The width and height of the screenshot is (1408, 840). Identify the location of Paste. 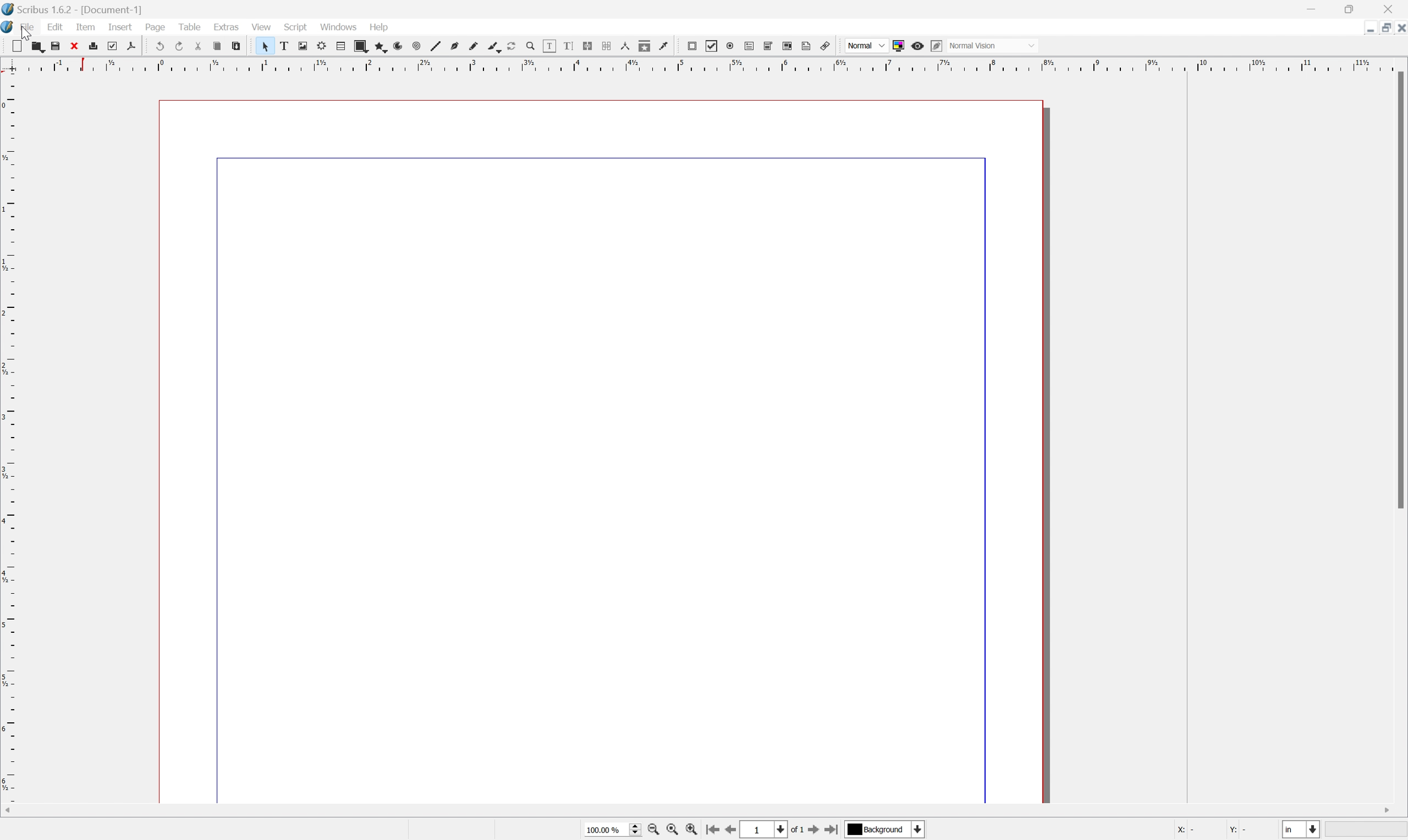
(240, 48).